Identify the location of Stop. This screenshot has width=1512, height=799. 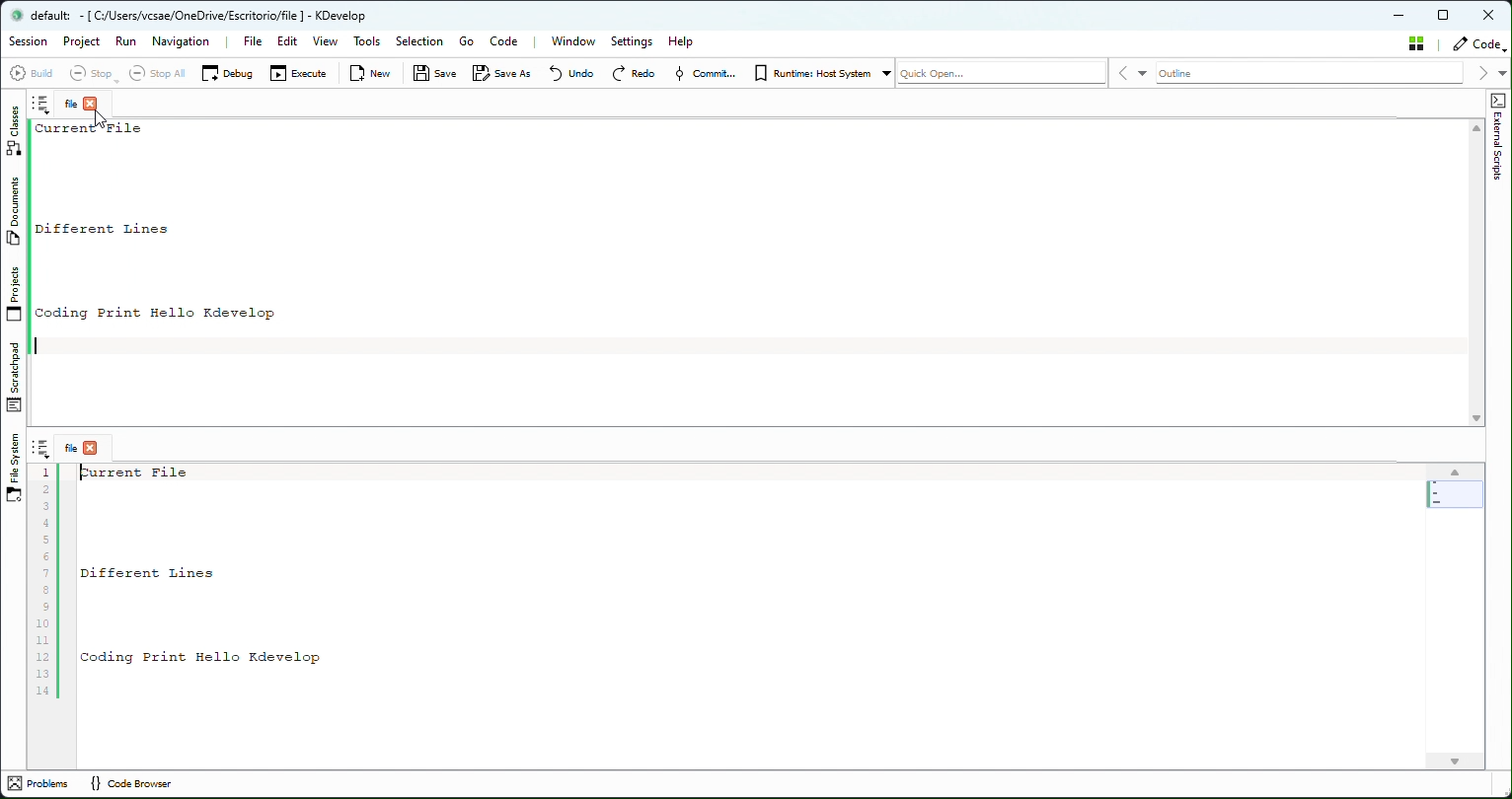
(96, 74).